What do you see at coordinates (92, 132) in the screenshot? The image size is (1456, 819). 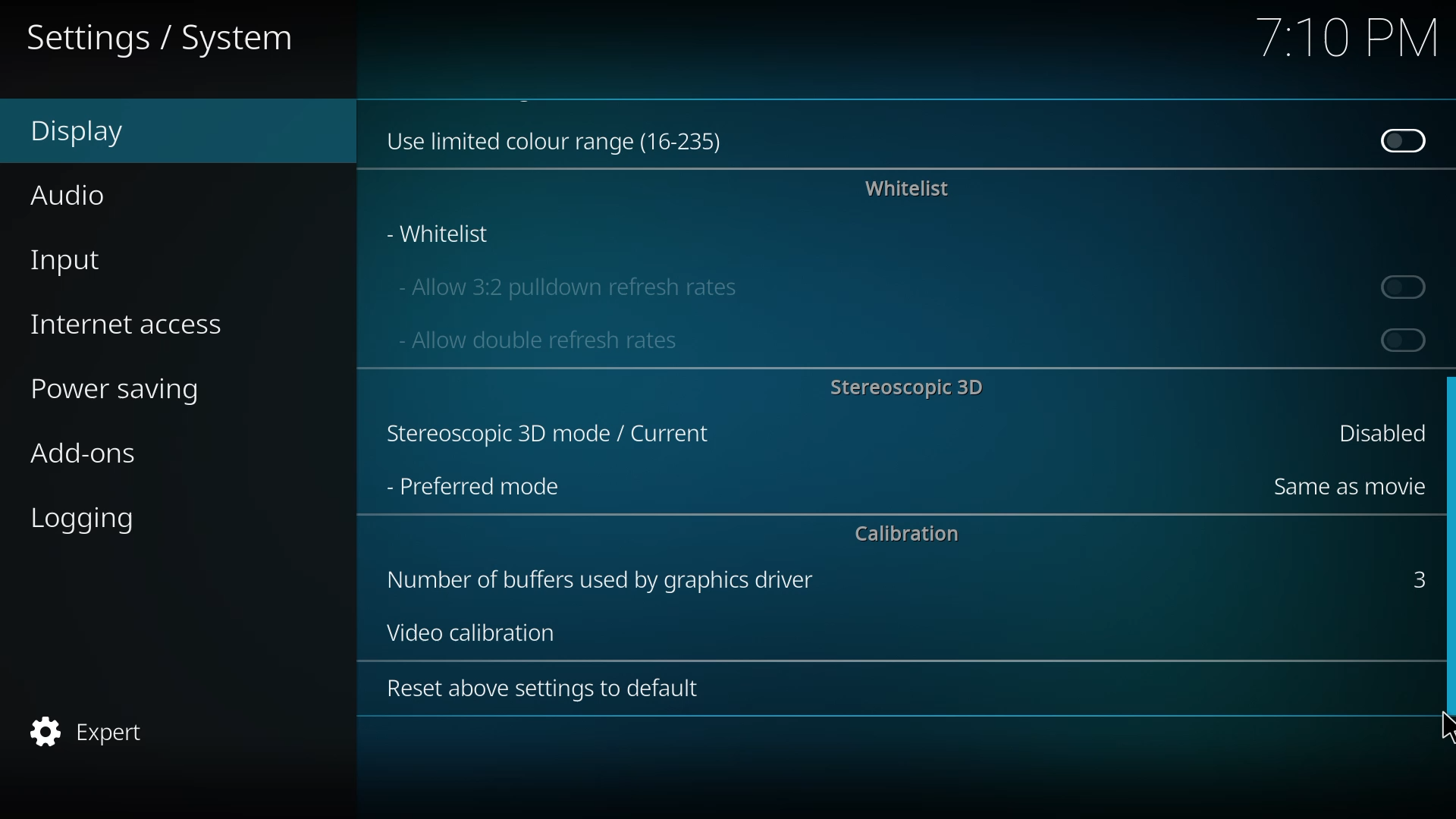 I see `display` at bounding box center [92, 132].